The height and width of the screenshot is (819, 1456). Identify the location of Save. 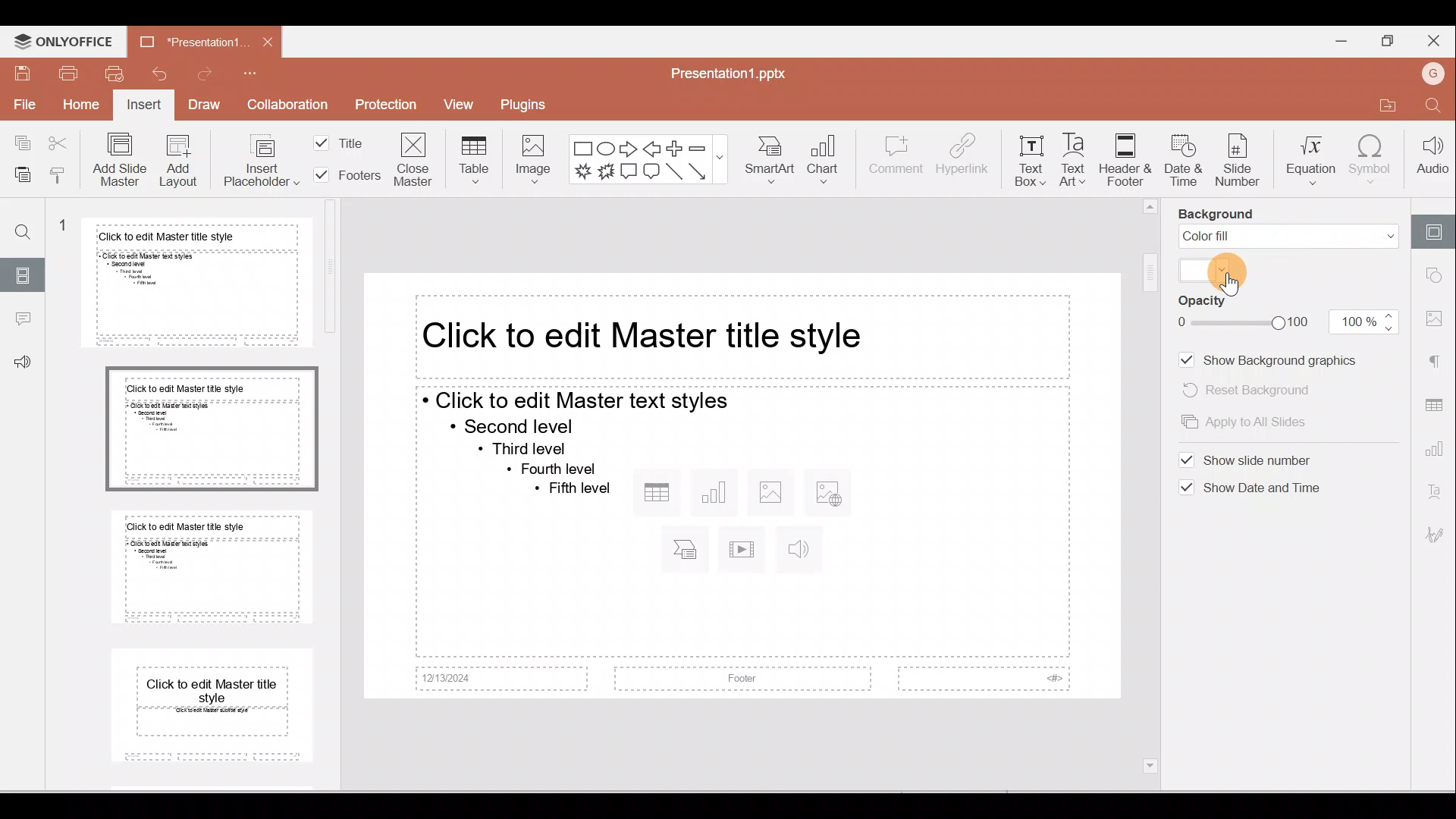
(19, 72).